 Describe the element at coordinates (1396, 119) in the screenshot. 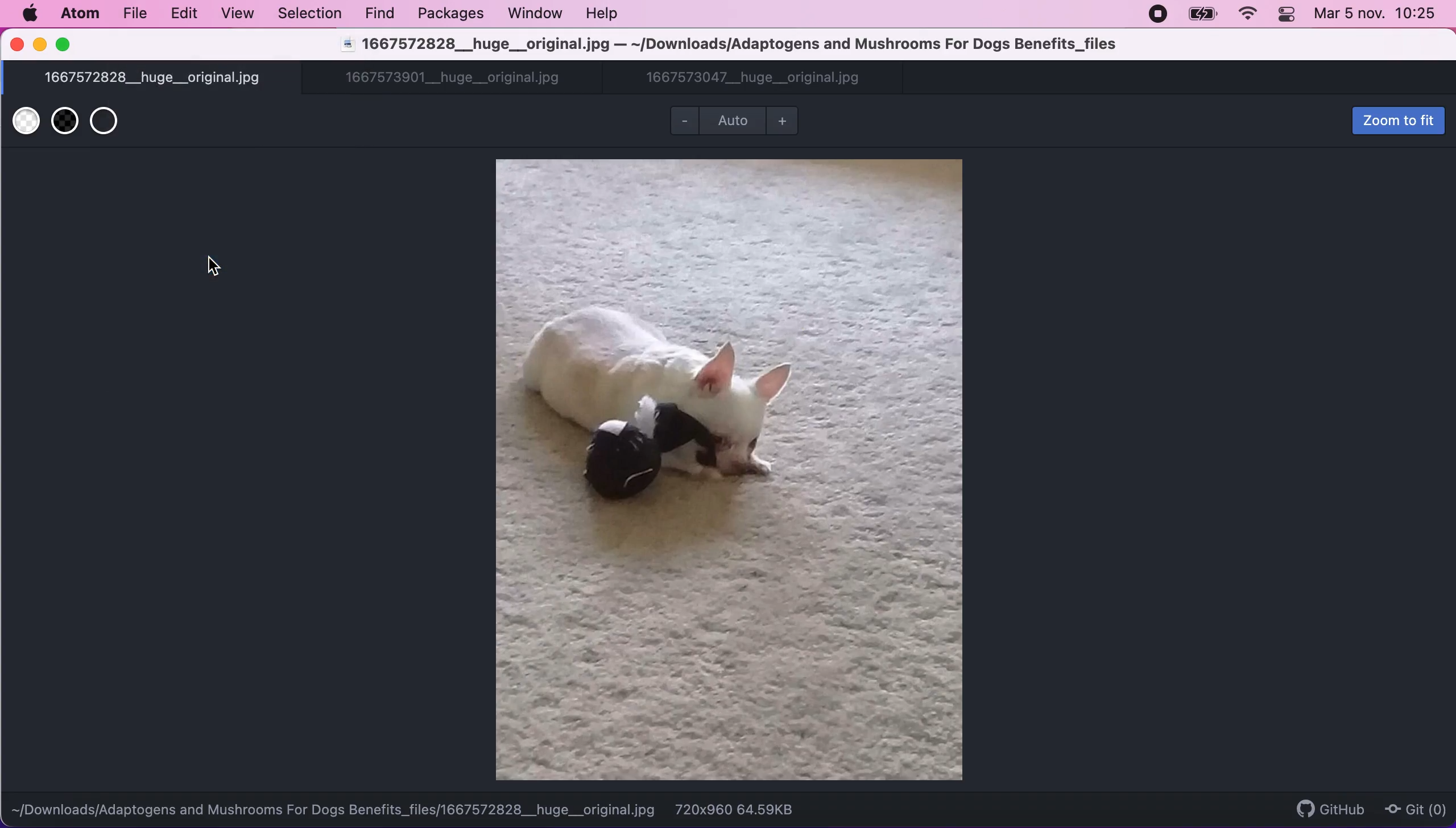

I see `zoom to fit` at that location.